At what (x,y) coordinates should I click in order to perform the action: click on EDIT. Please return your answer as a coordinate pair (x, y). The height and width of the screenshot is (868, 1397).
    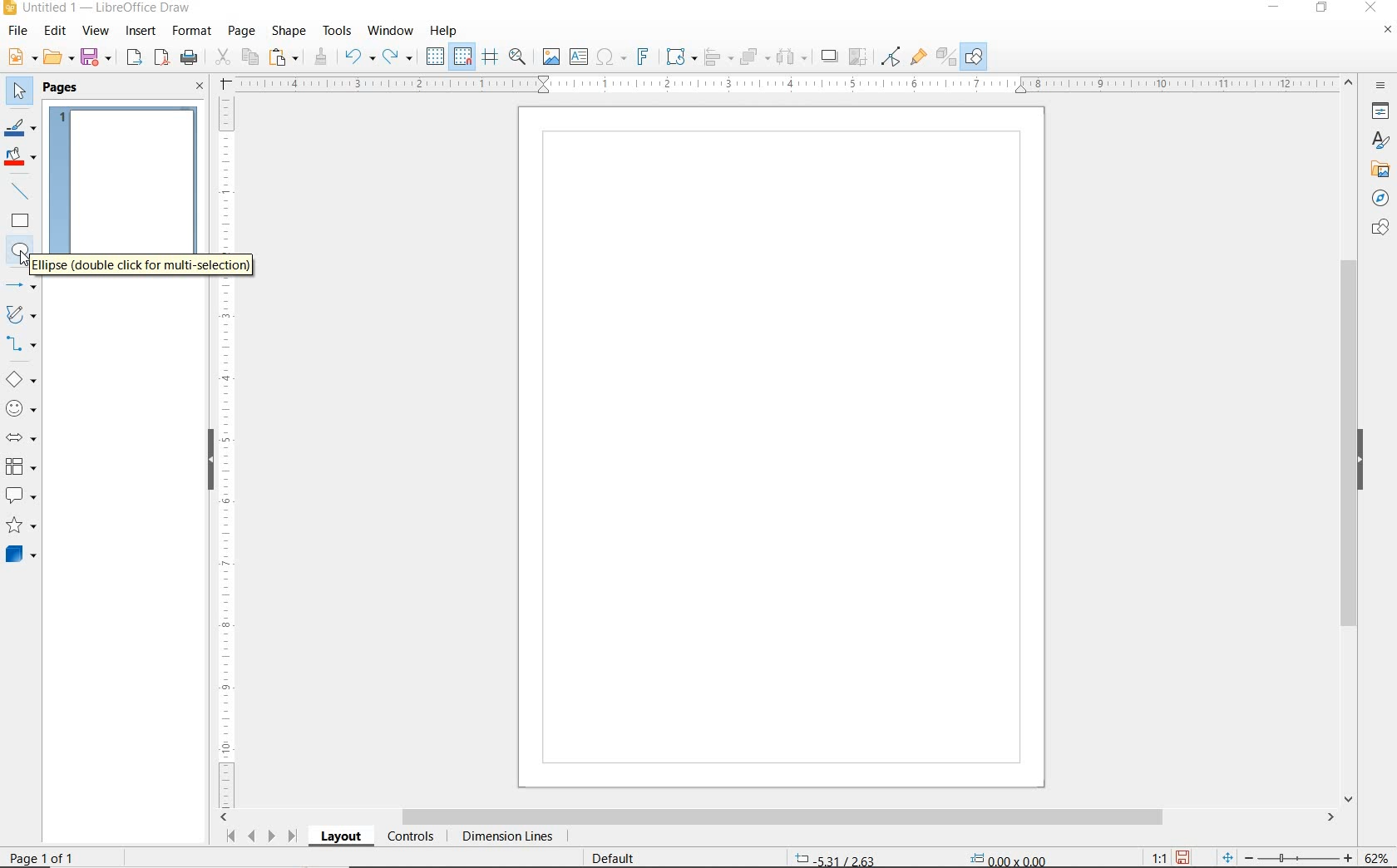
    Looking at the image, I should click on (56, 31).